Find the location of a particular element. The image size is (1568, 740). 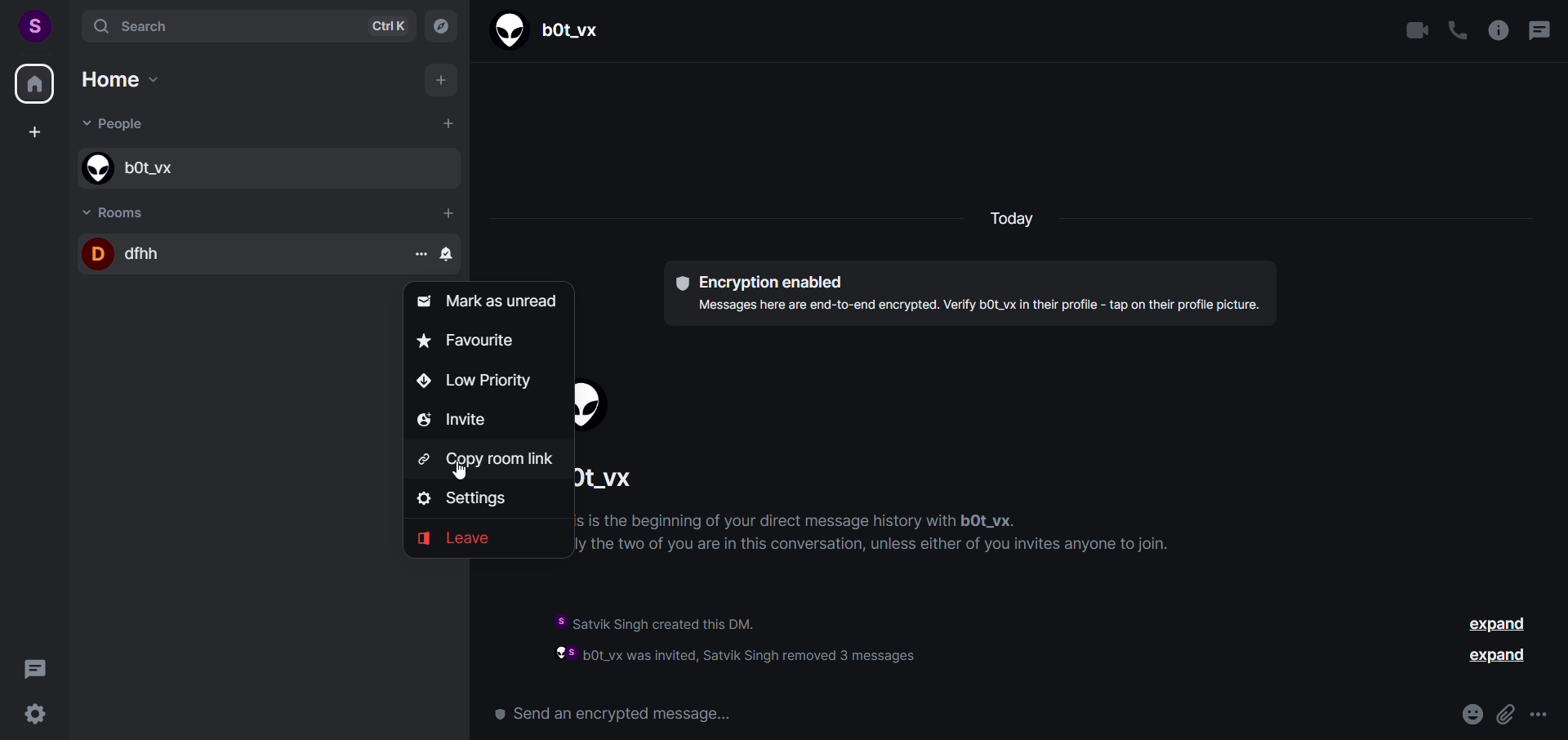

more room options is located at coordinates (420, 252).